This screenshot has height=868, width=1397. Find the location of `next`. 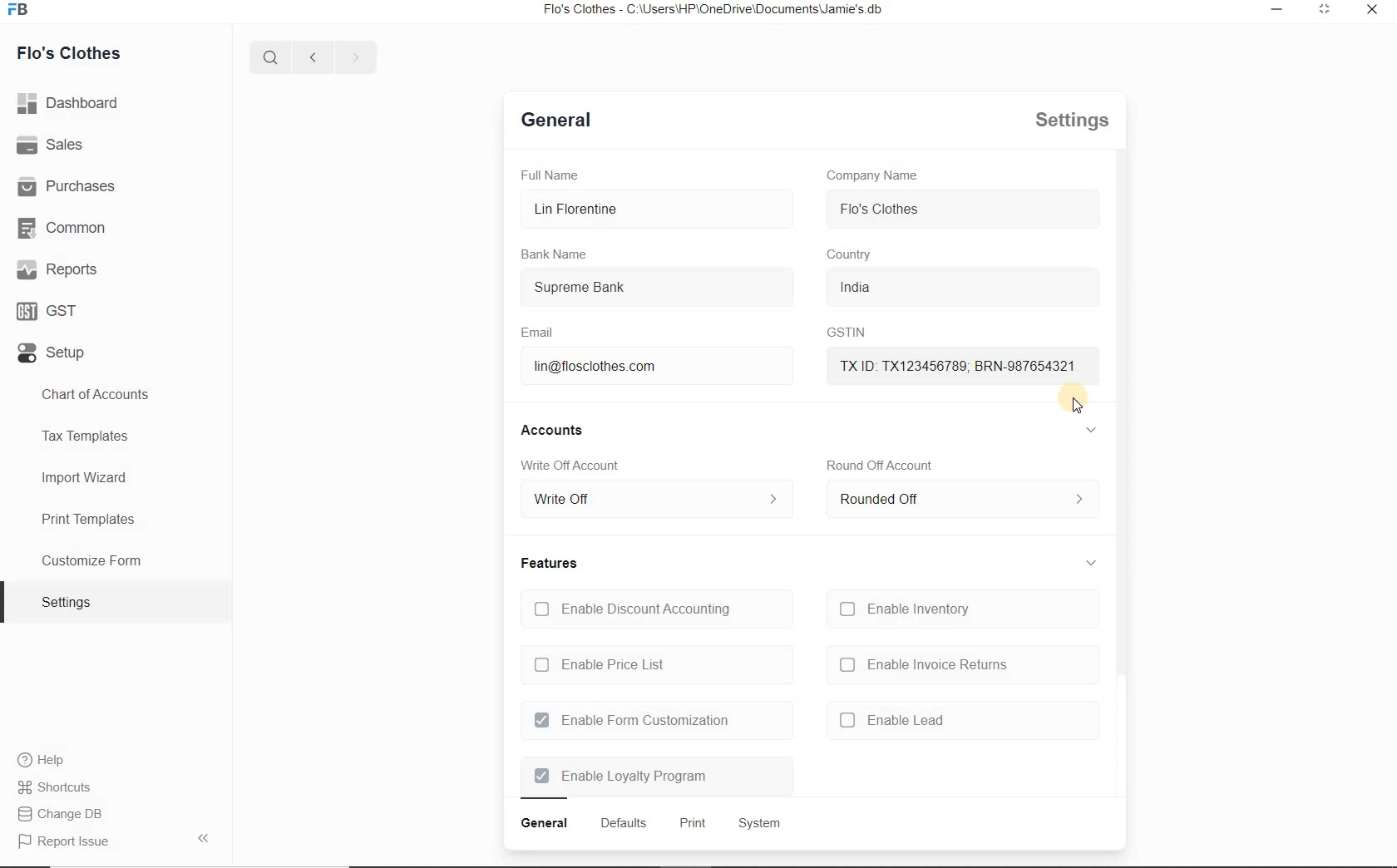

next is located at coordinates (353, 57).